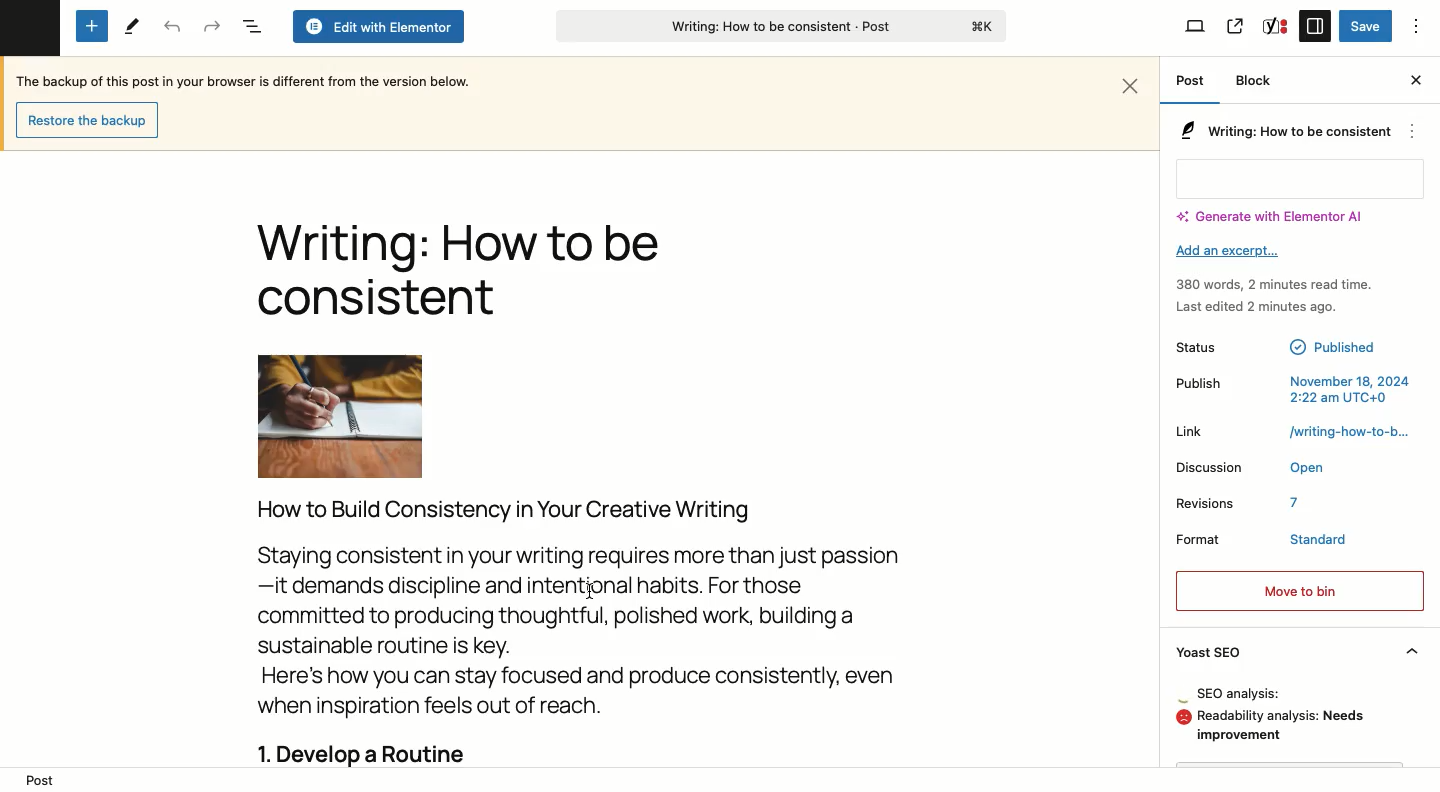 This screenshot has height=792, width=1440. Describe the element at coordinates (1345, 388) in the screenshot. I see `November 18, 2024 2:22 am UTC+0` at that location.